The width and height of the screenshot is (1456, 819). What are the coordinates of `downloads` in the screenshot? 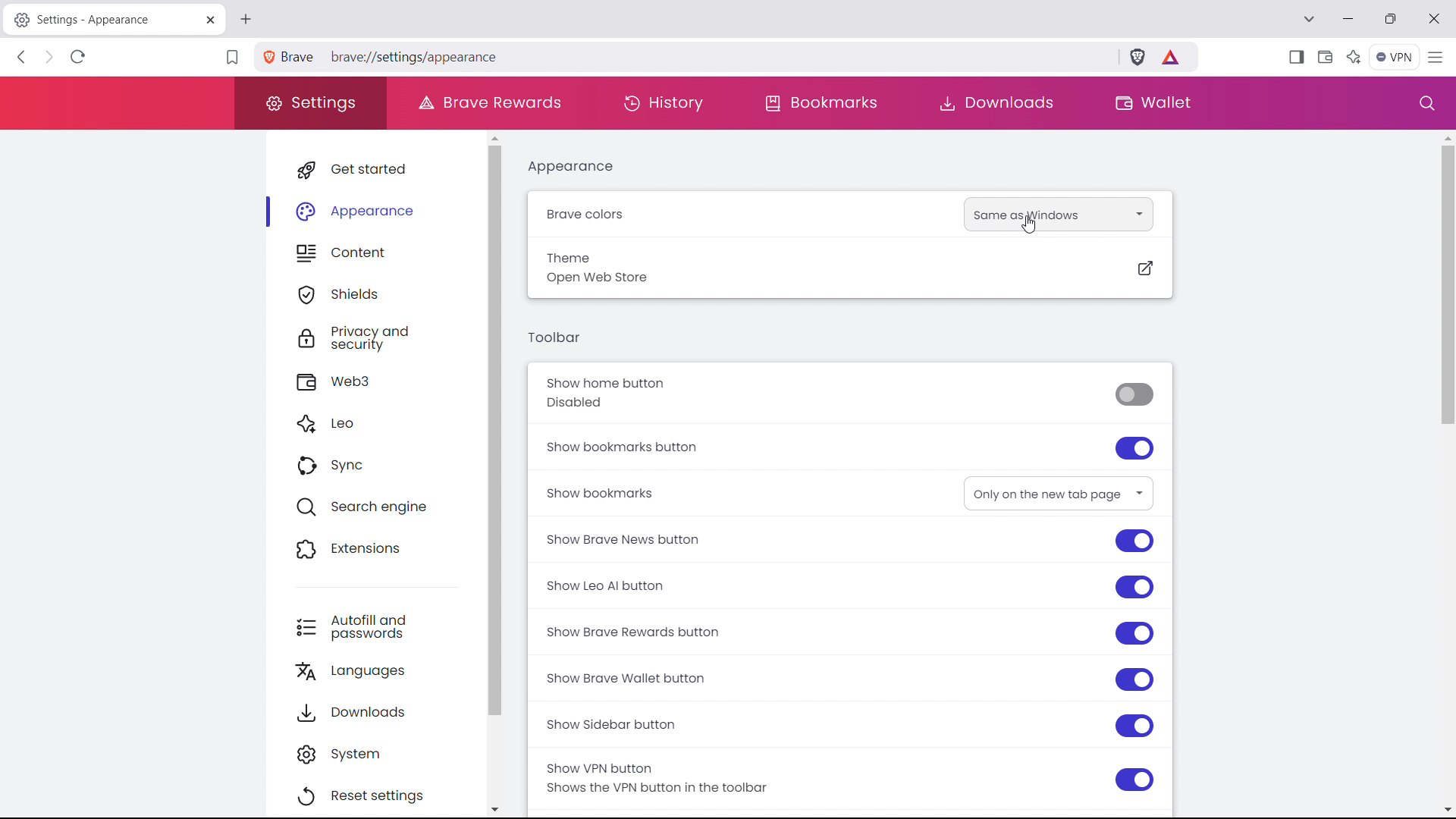 It's located at (995, 104).